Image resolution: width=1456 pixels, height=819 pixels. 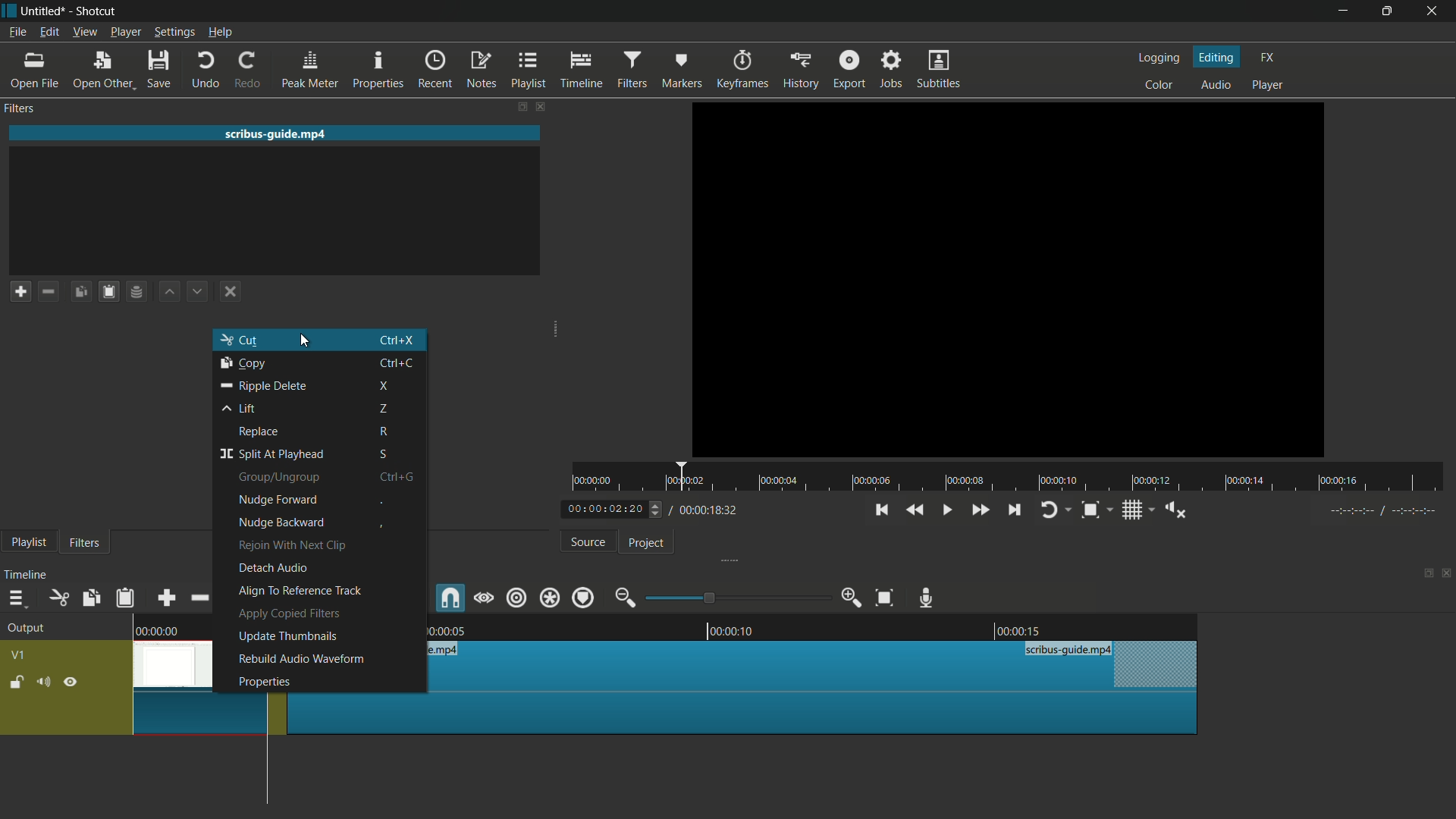 What do you see at coordinates (172, 32) in the screenshot?
I see `settings menu` at bounding box center [172, 32].